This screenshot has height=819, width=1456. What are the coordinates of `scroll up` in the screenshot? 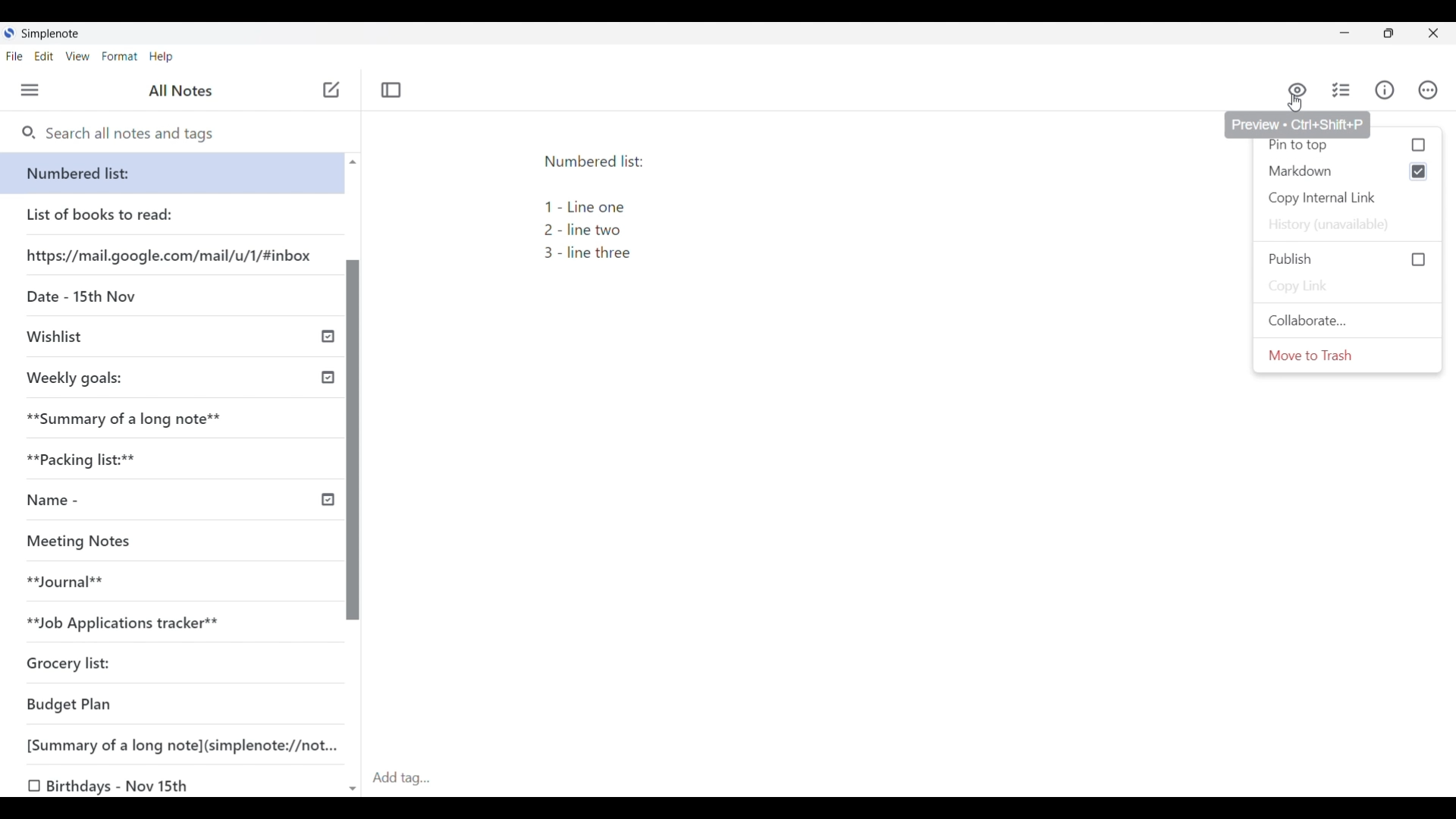 It's located at (353, 162).